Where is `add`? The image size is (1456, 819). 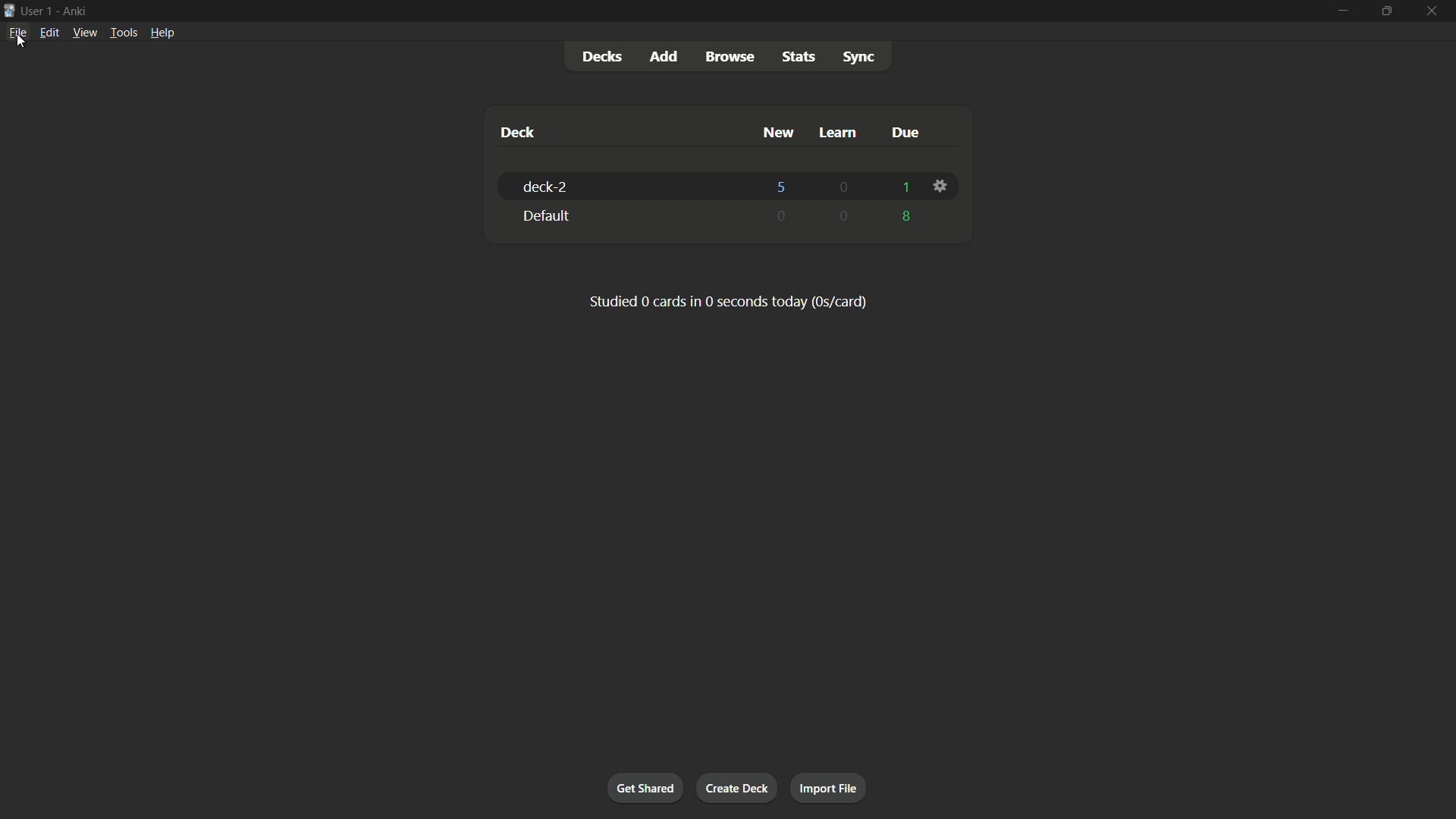
add is located at coordinates (663, 57).